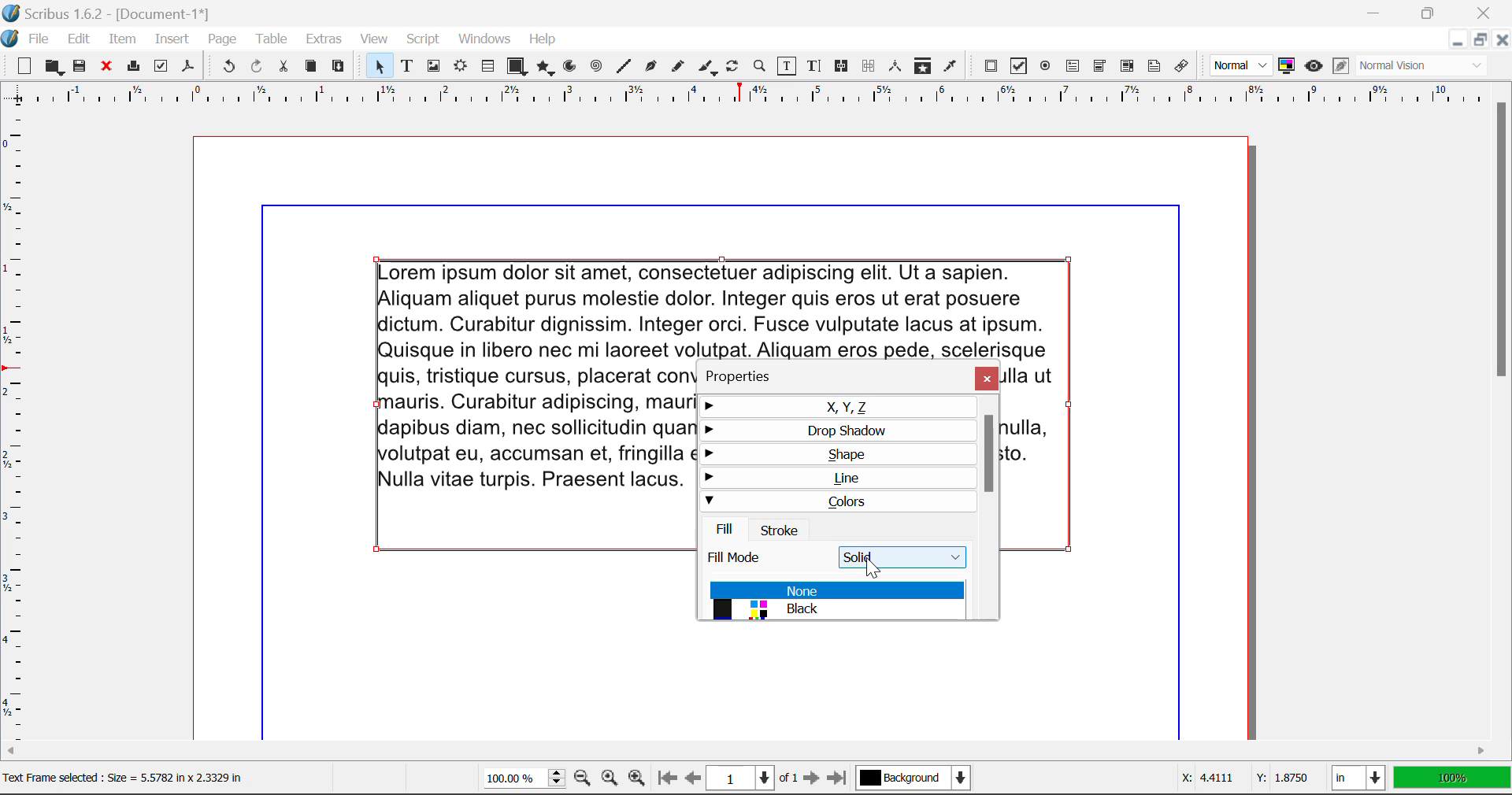  I want to click on | Scribus 1.6.2 - [Document-1*], so click(119, 13).